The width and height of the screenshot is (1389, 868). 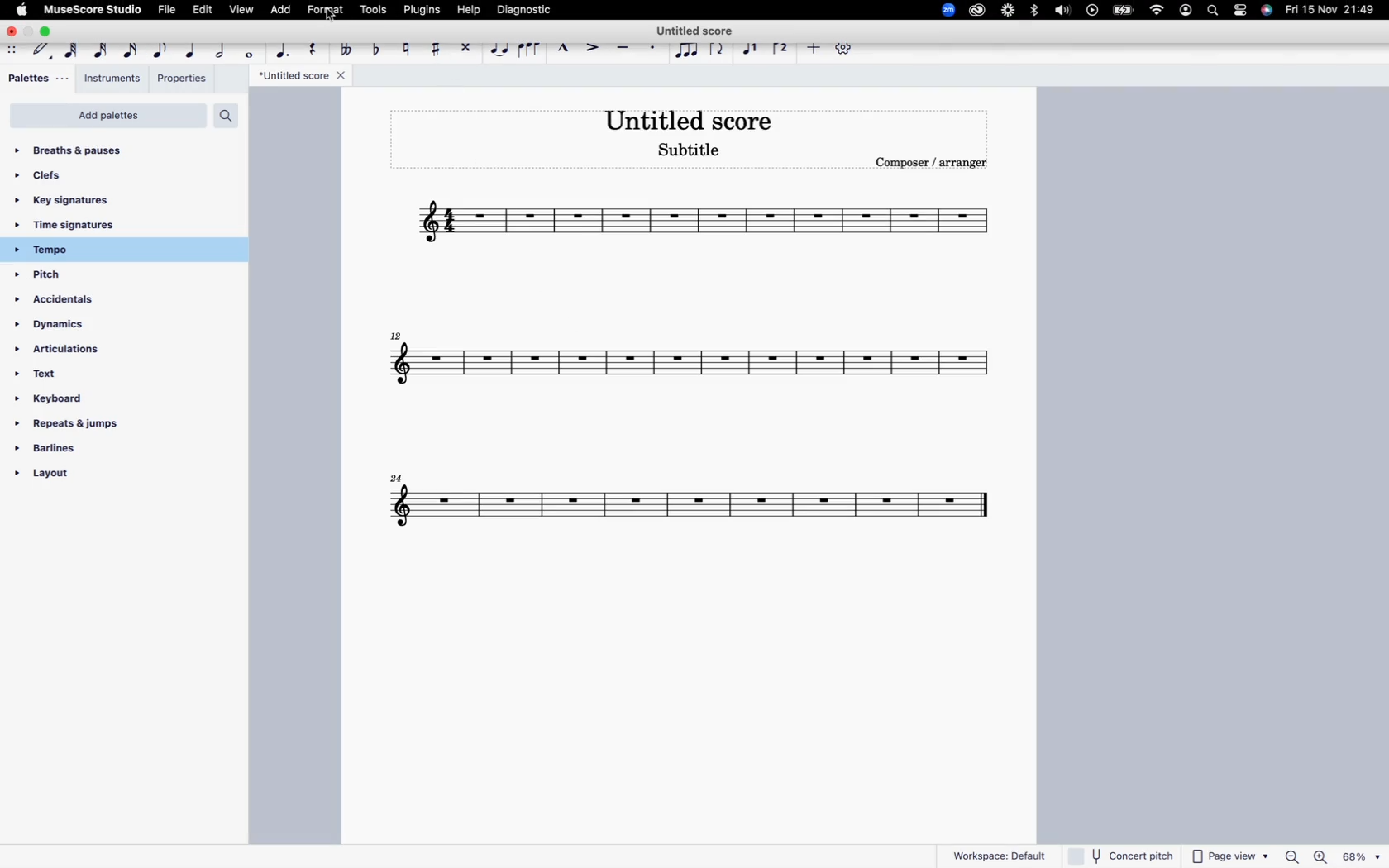 What do you see at coordinates (1186, 12) in the screenshot?
I see `profile` at bounding box center [1186, 12].